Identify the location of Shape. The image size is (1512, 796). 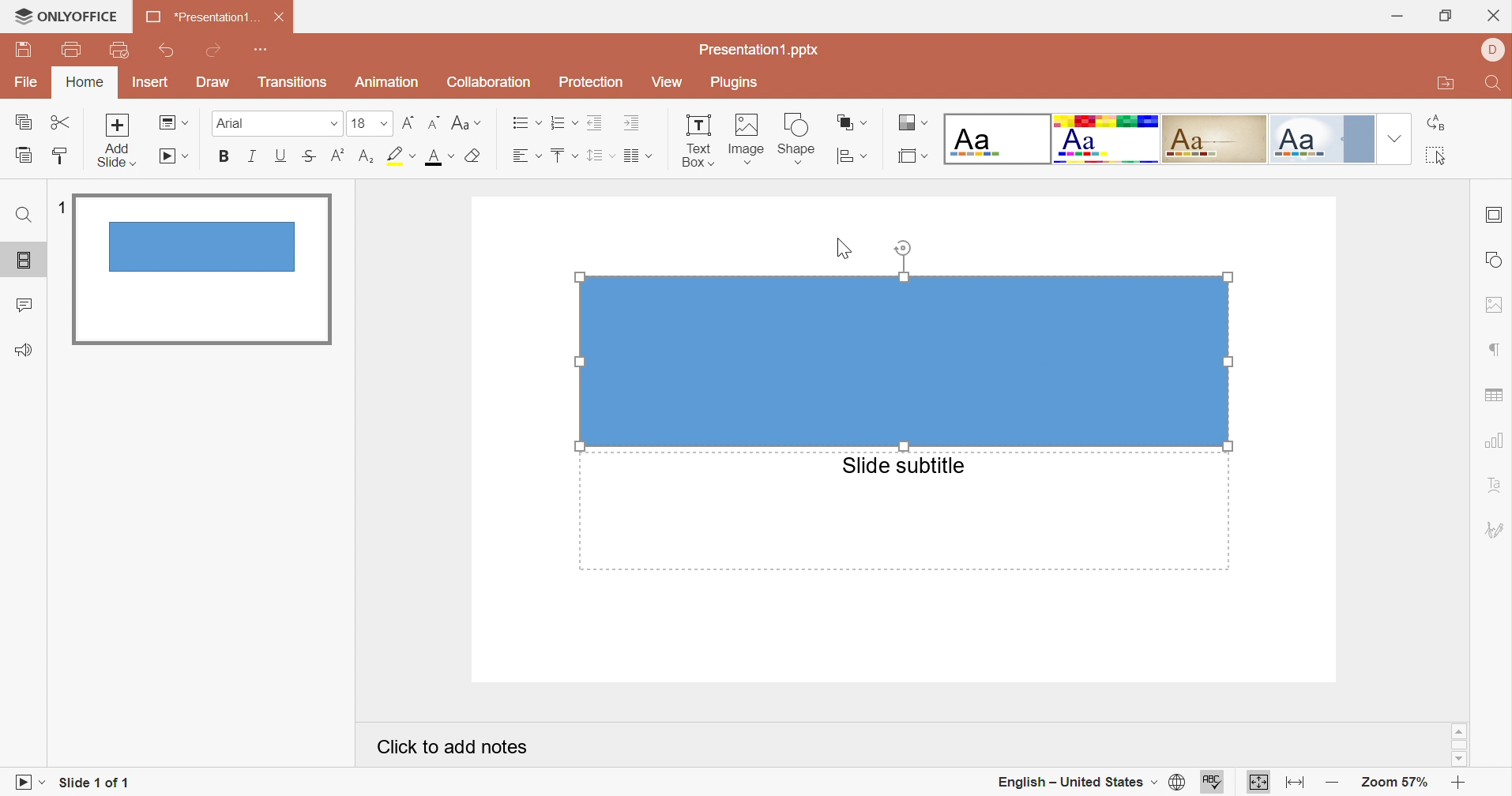
(795, 141).